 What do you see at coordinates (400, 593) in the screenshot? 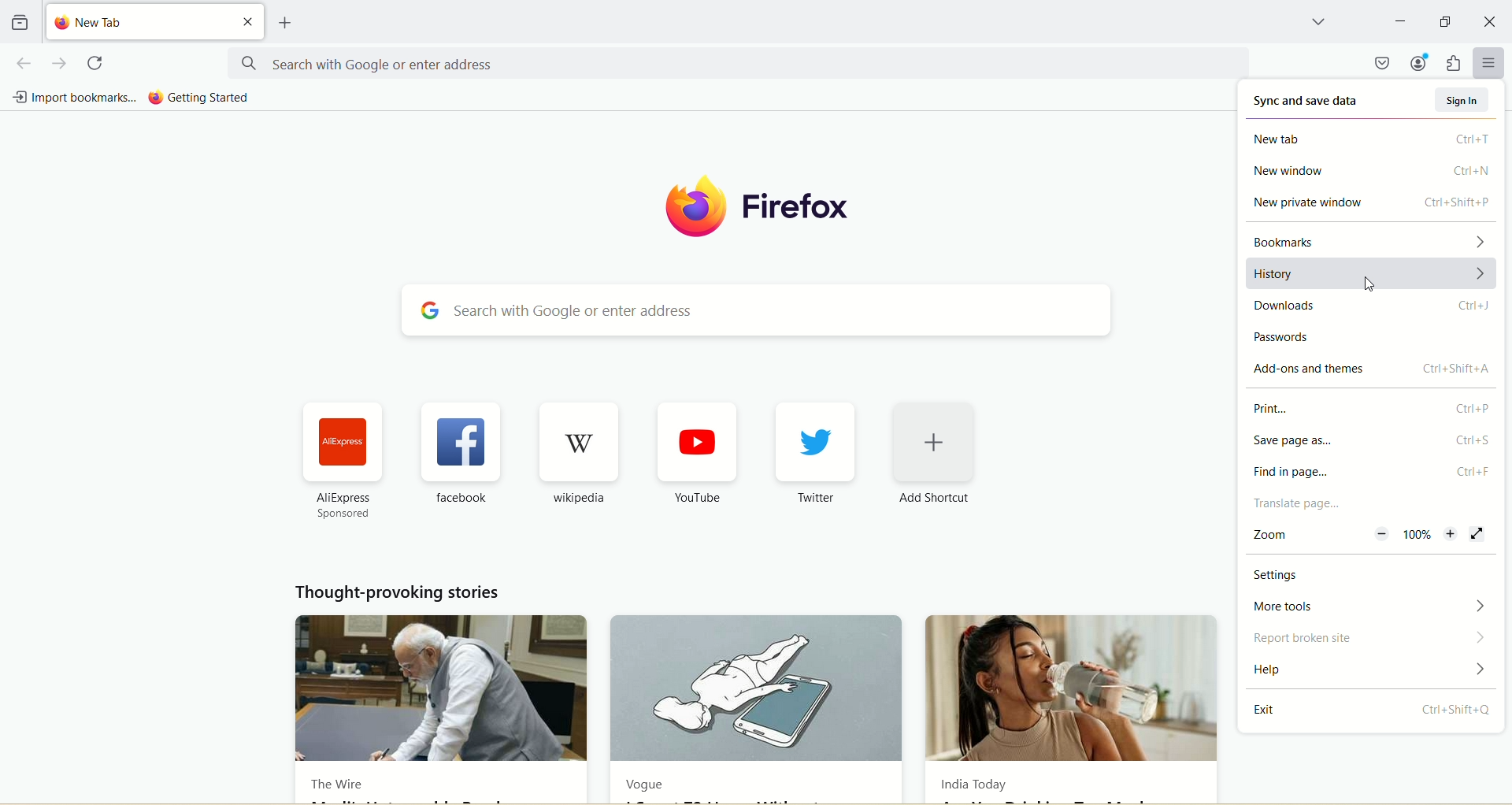
I see `thought provoking stories` at bounding box center [400, 593].